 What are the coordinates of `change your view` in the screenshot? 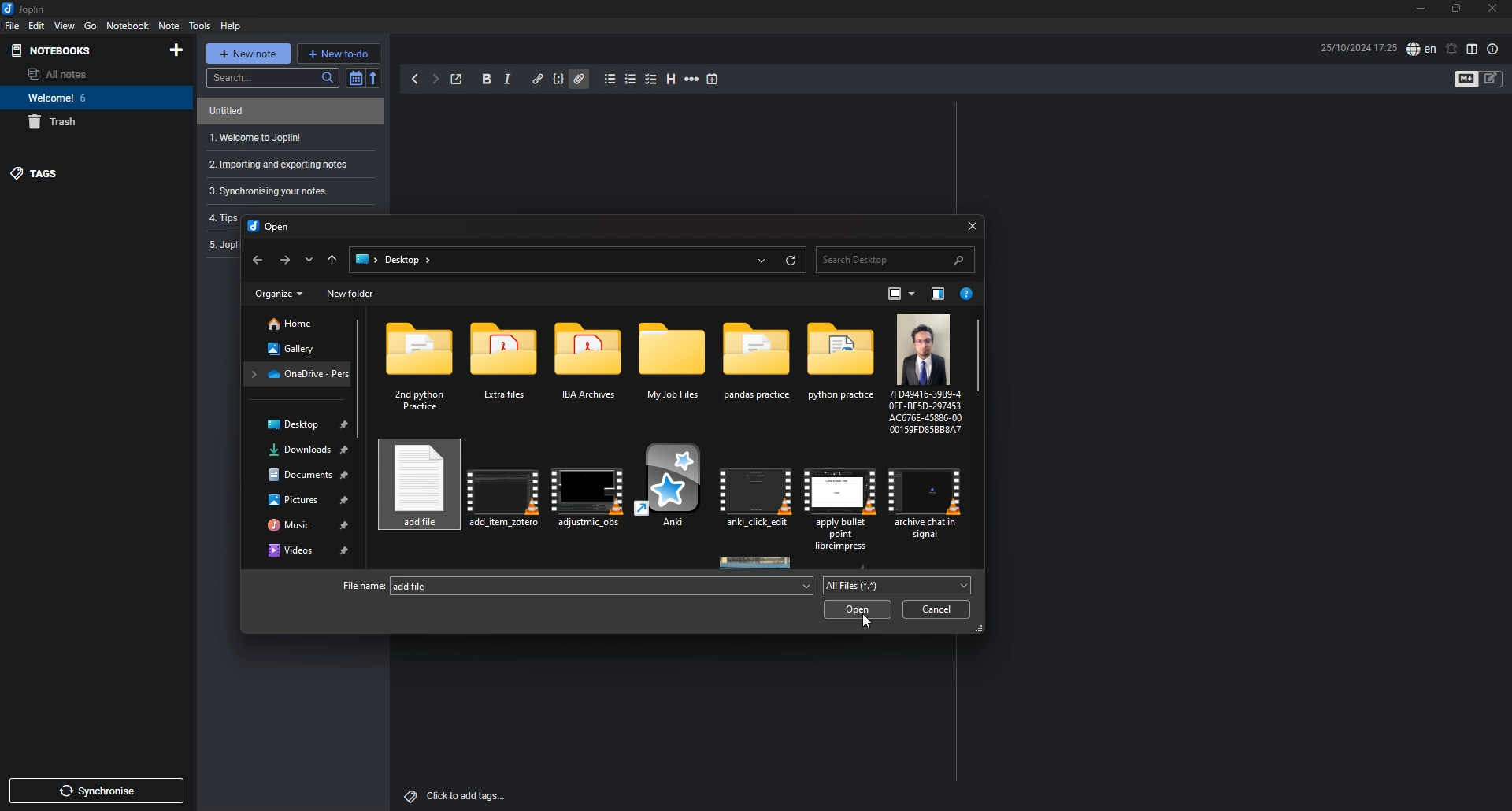 It's located at (902, 294).